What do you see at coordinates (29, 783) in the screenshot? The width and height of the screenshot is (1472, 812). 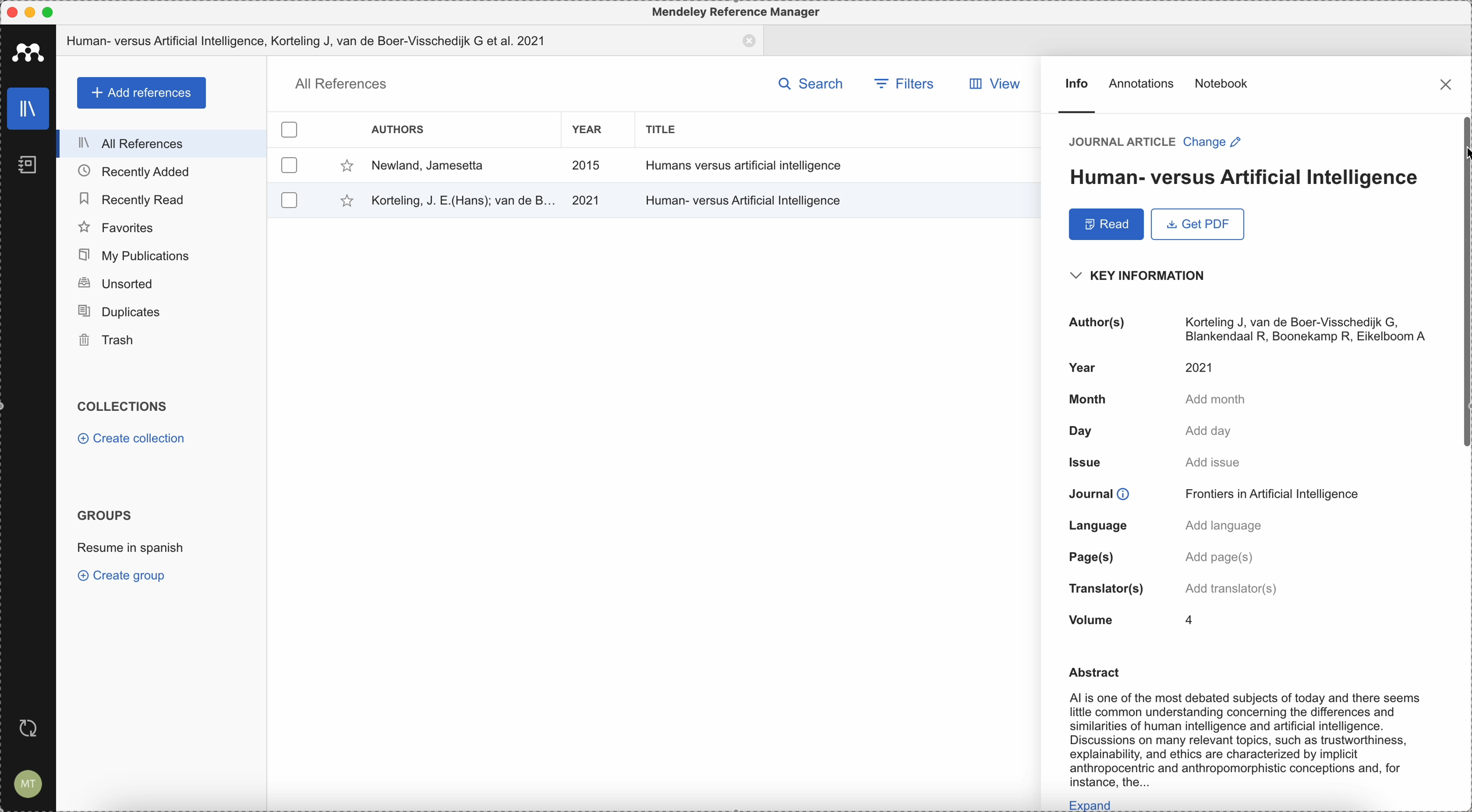 I see `account setting` at bounding box center [29, 783].